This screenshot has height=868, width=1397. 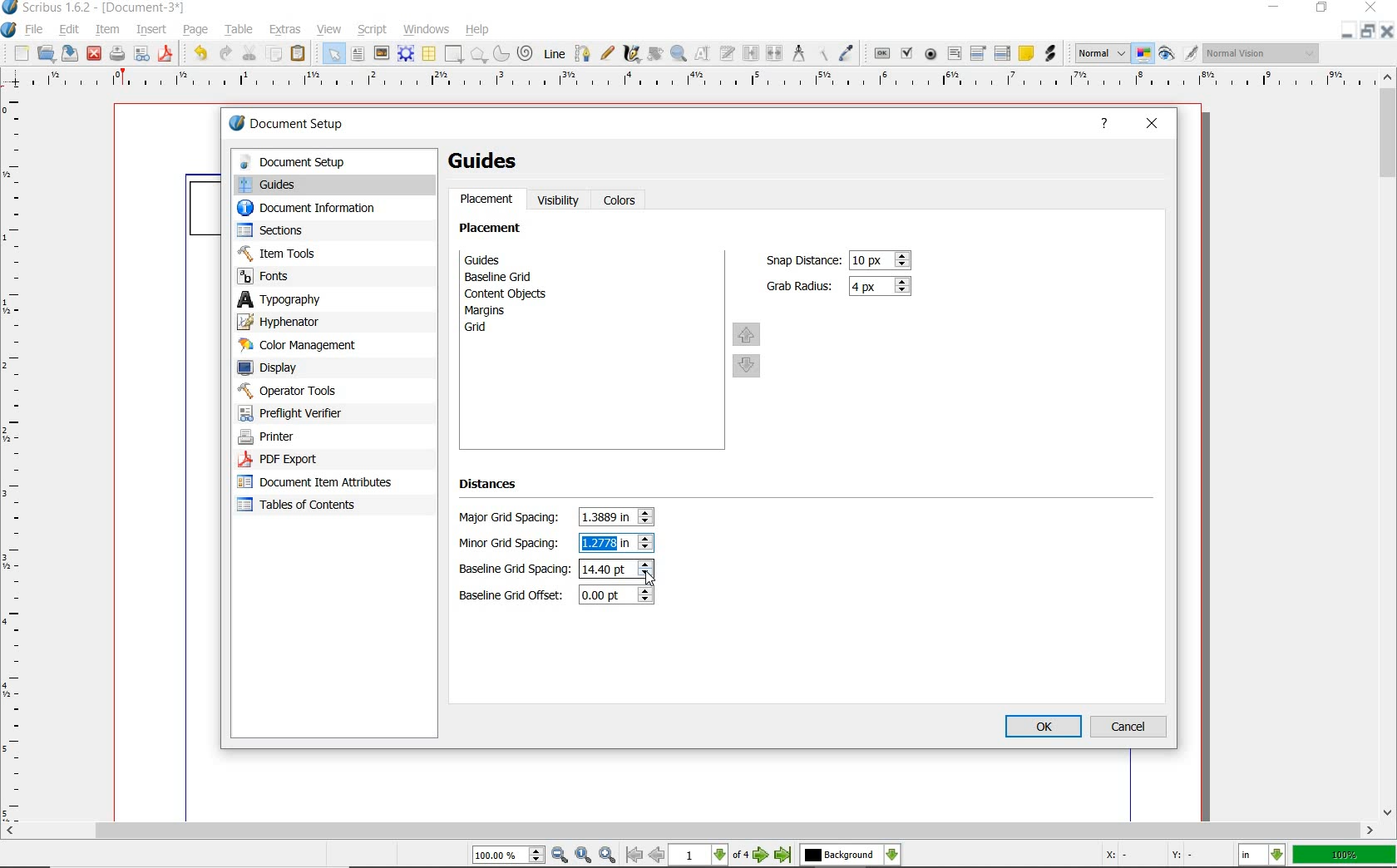 I want to click on move down, so click(x=748, y=367).